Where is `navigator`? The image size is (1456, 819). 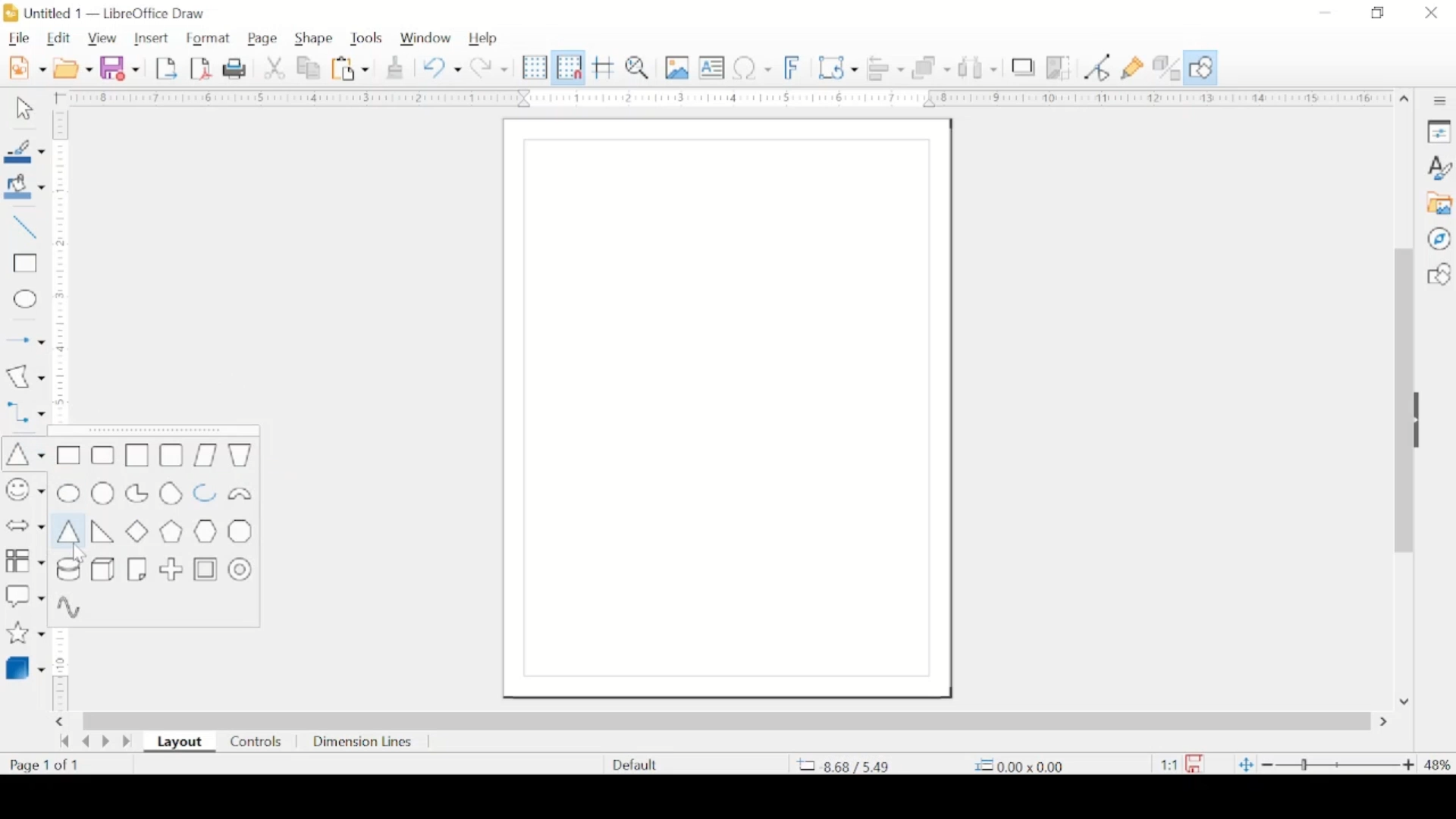 navigator is located at coordinates (1439, 239).